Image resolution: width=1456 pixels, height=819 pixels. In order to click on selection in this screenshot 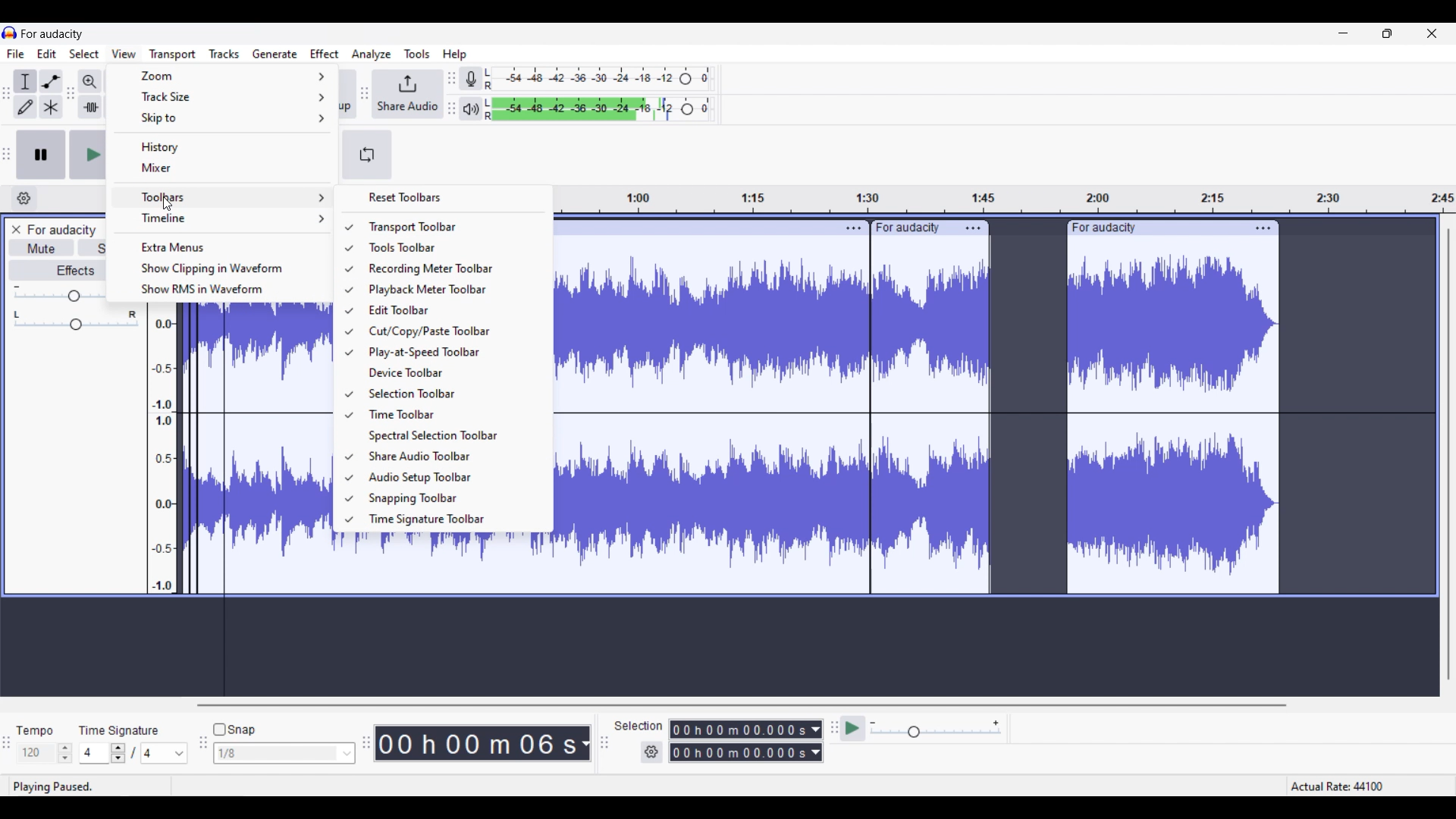, I will do `click(639, 726)`.